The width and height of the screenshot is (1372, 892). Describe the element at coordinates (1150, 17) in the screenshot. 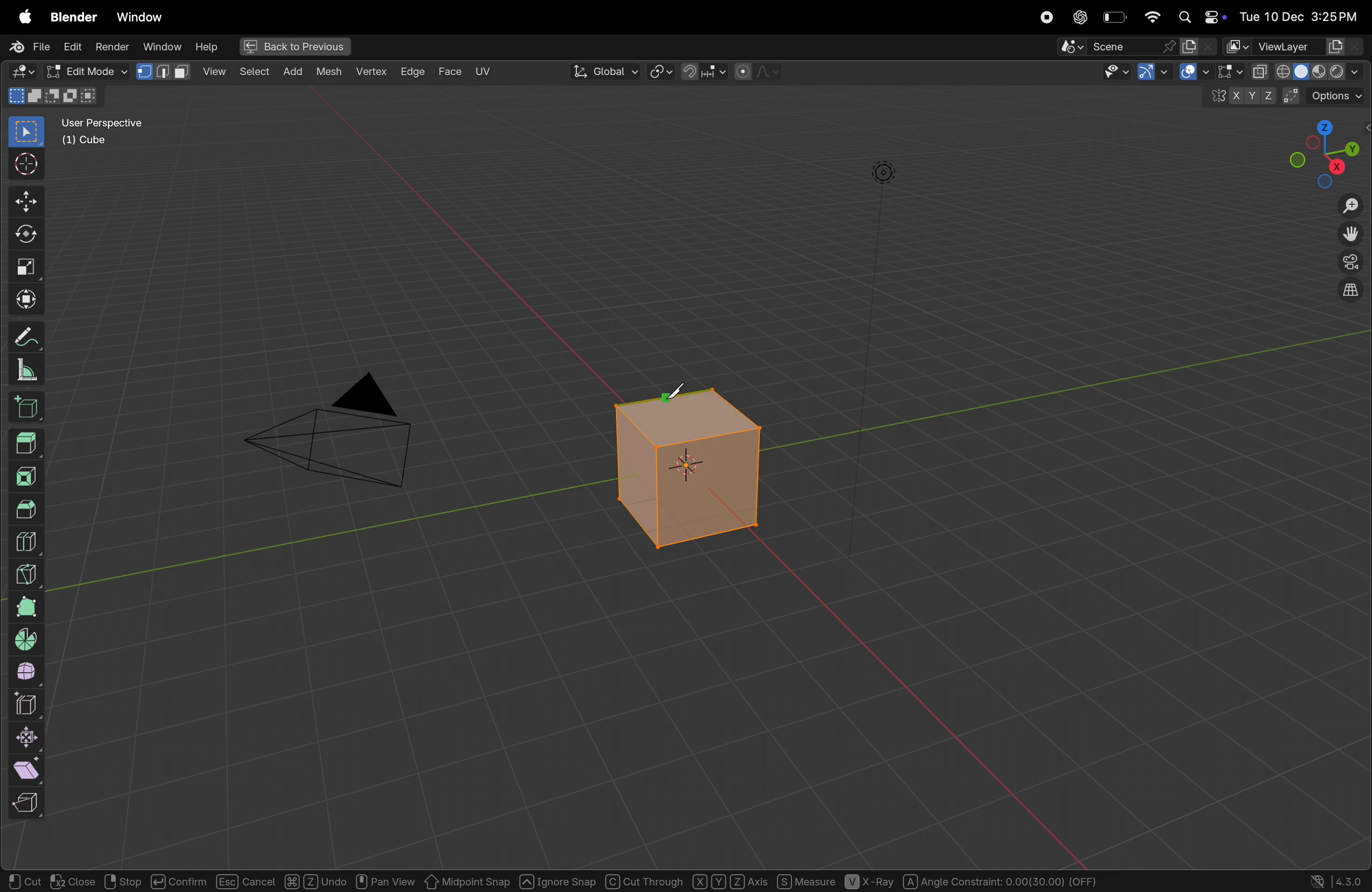

I see `Wifi` at that location.